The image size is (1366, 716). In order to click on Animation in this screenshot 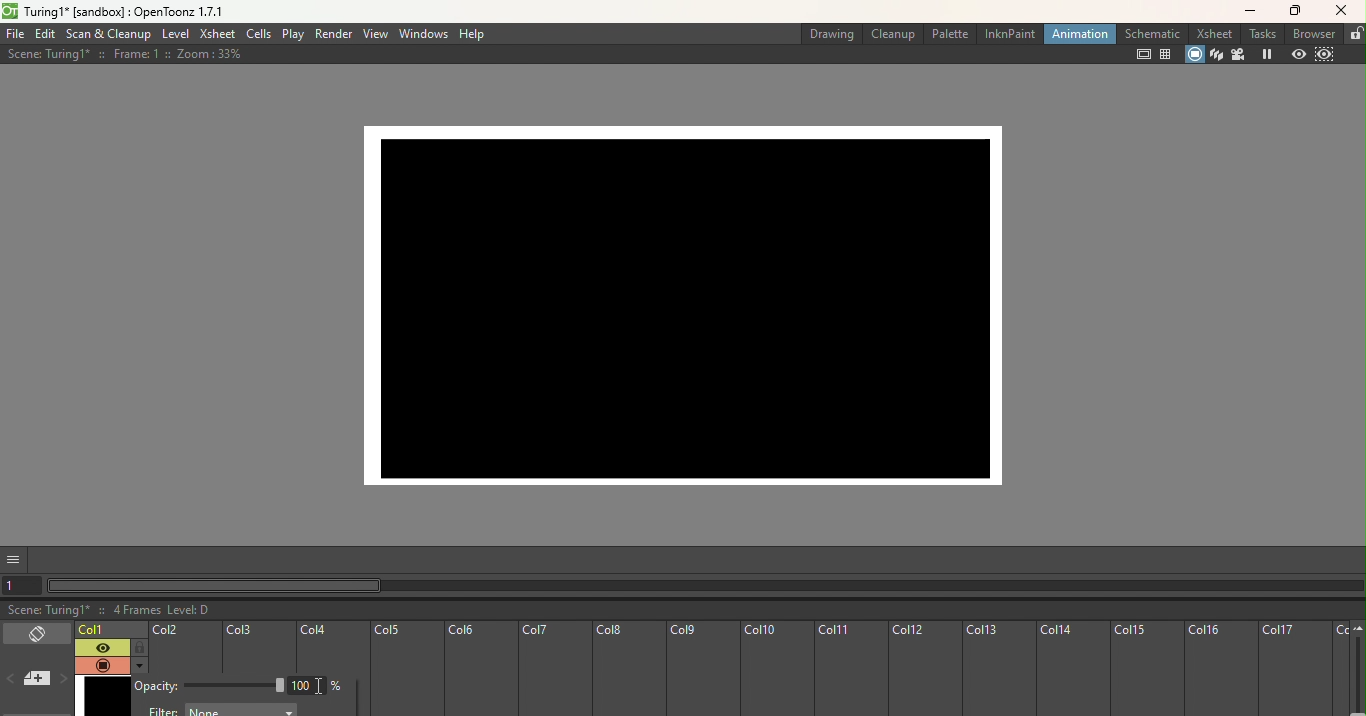, I will do `click(1075, 34)`.